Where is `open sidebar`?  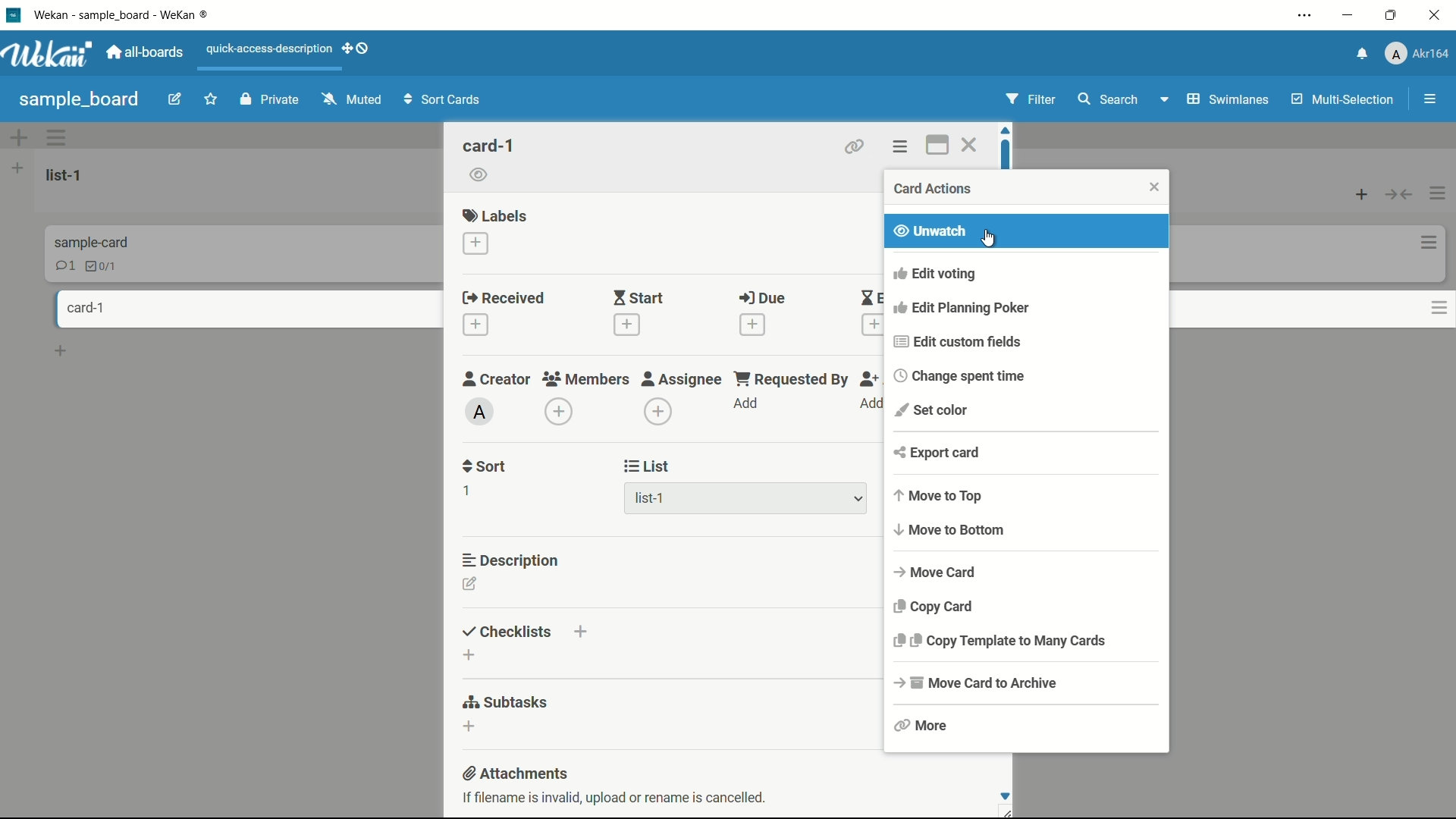
open sidebar is located at coordinates (1423, 99).